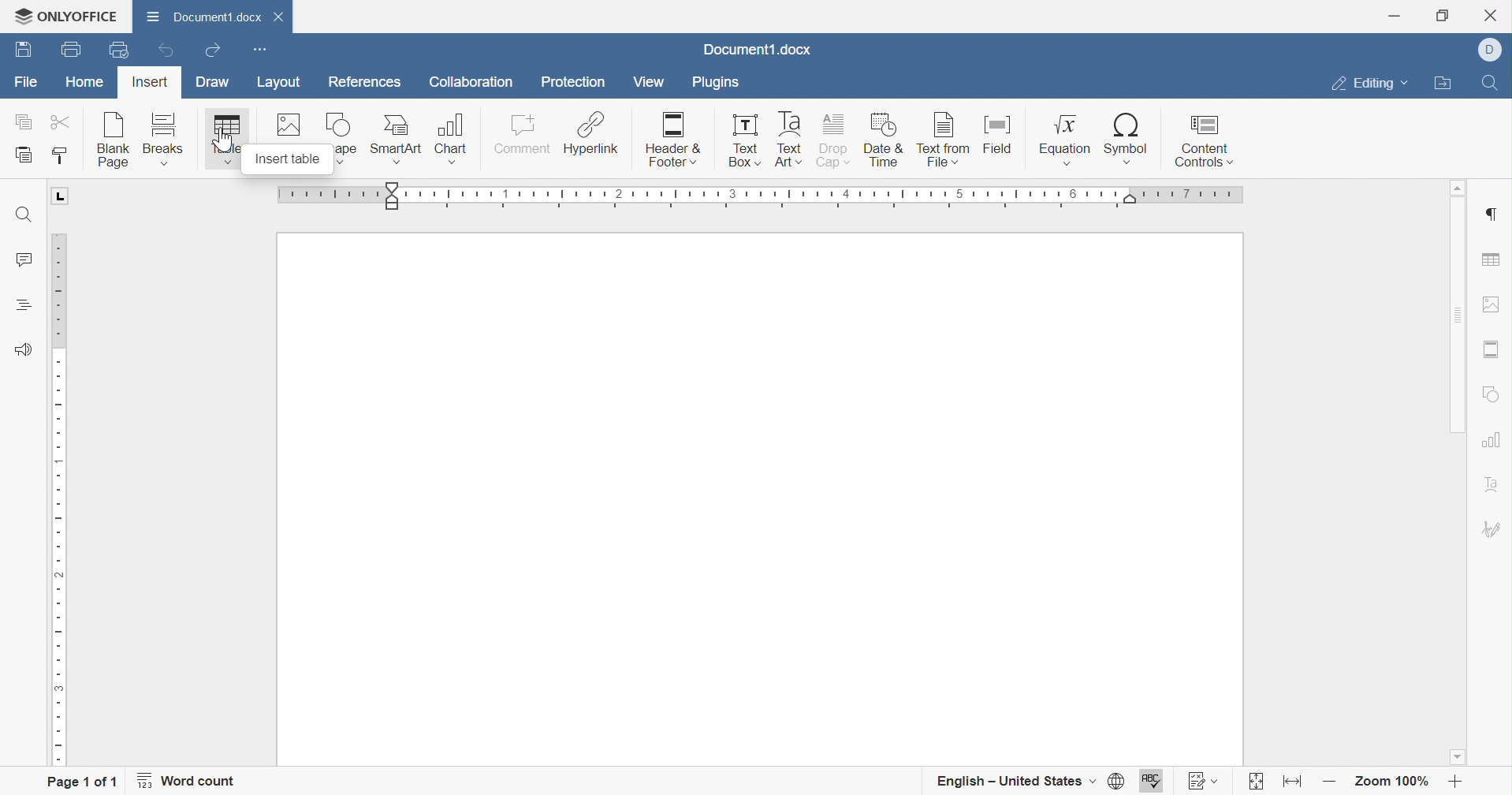  Describe the element at coordinates (1442, 17) in the screenshot. I see `Restore down` at that location.